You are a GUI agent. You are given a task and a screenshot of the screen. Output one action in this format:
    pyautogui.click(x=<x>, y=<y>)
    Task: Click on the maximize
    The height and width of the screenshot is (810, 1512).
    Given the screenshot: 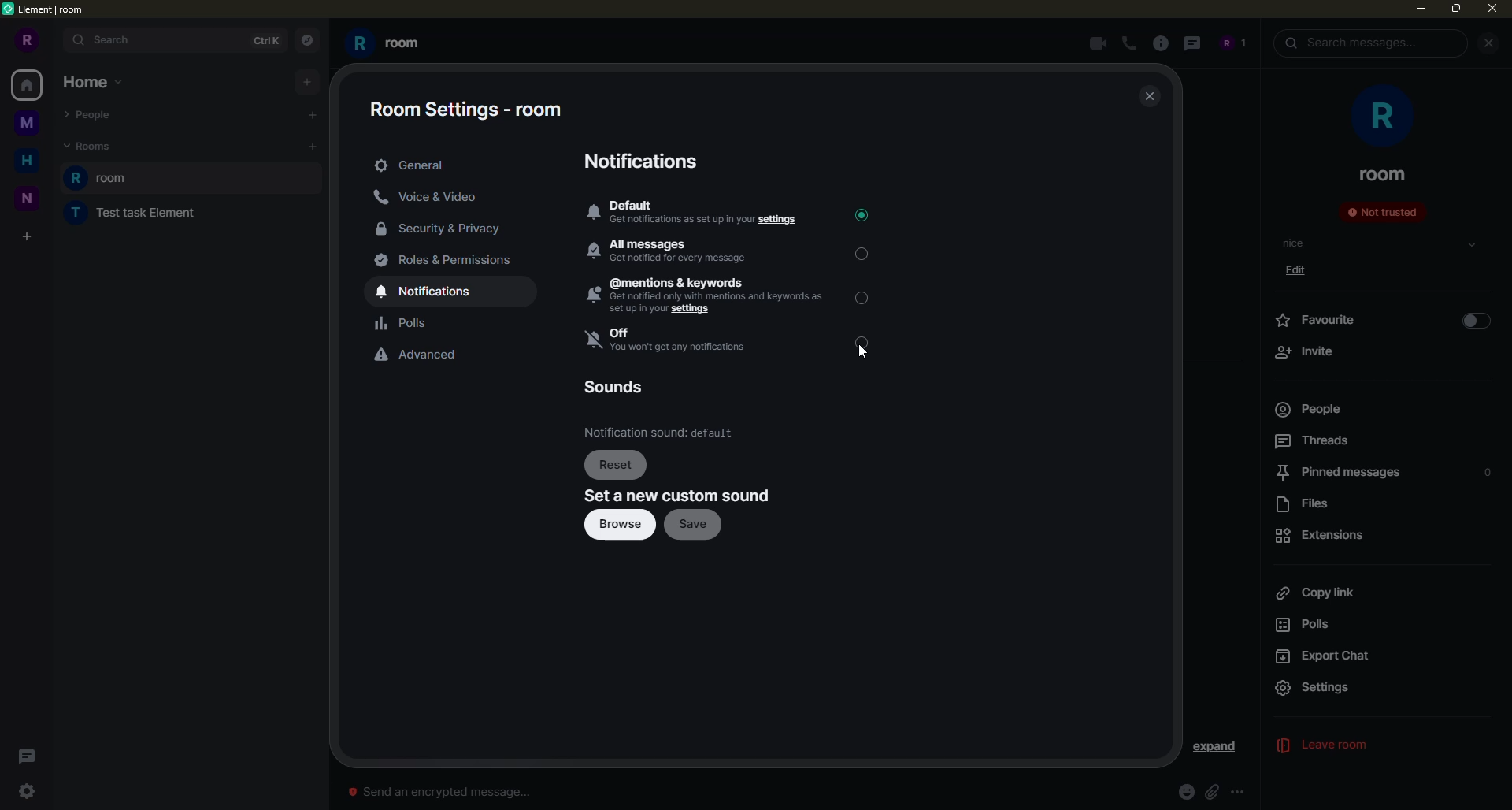 What is the action you would take?
    pyautogui.click(x=1456, y=10)
    